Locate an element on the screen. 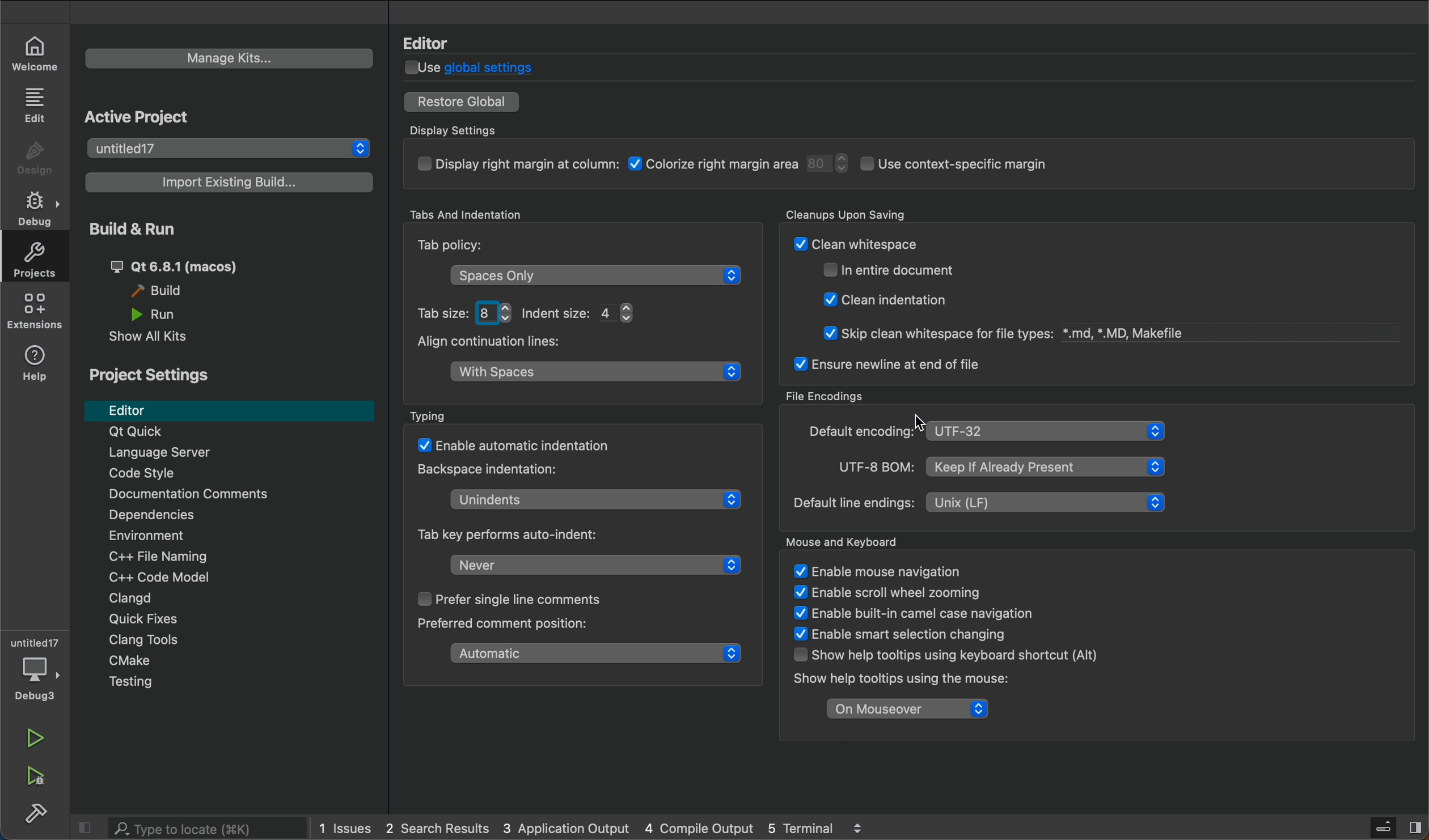  Active Project is located at coordinates (147, 116).